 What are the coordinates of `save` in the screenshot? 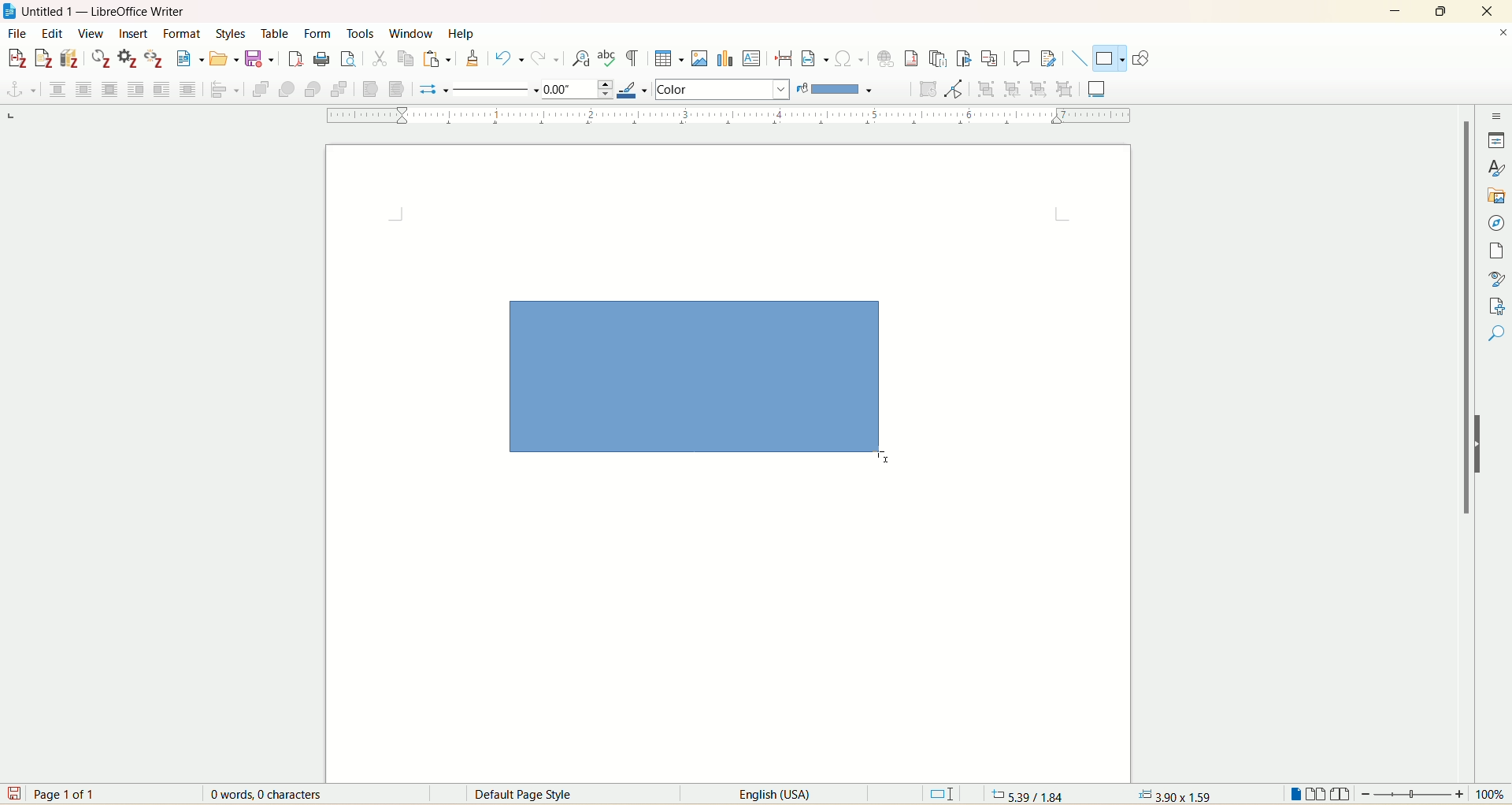 It's located at (261, 60).